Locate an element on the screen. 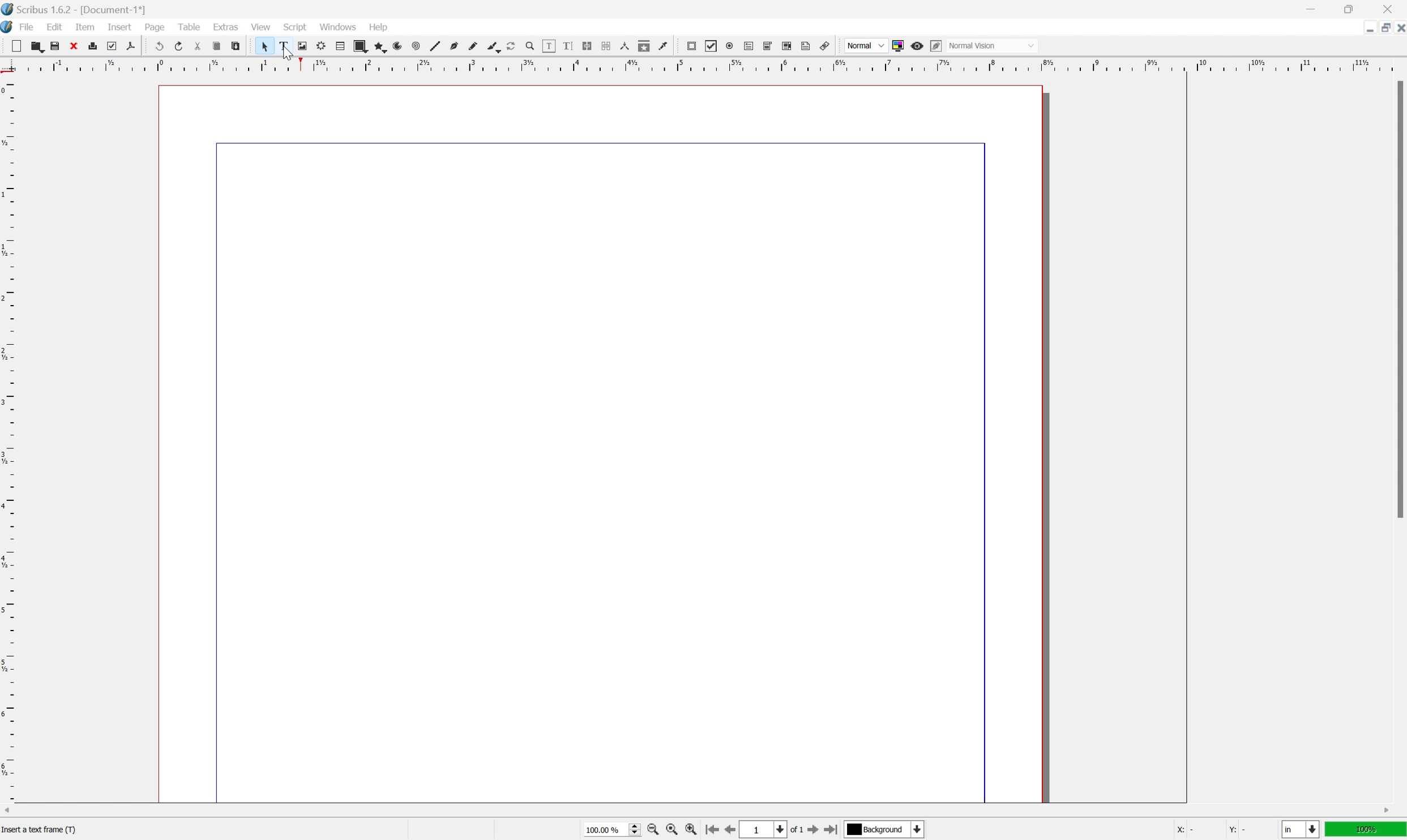 The width and height of the screenshot is (1407, 840). shape is located at coordinates (360, 46).